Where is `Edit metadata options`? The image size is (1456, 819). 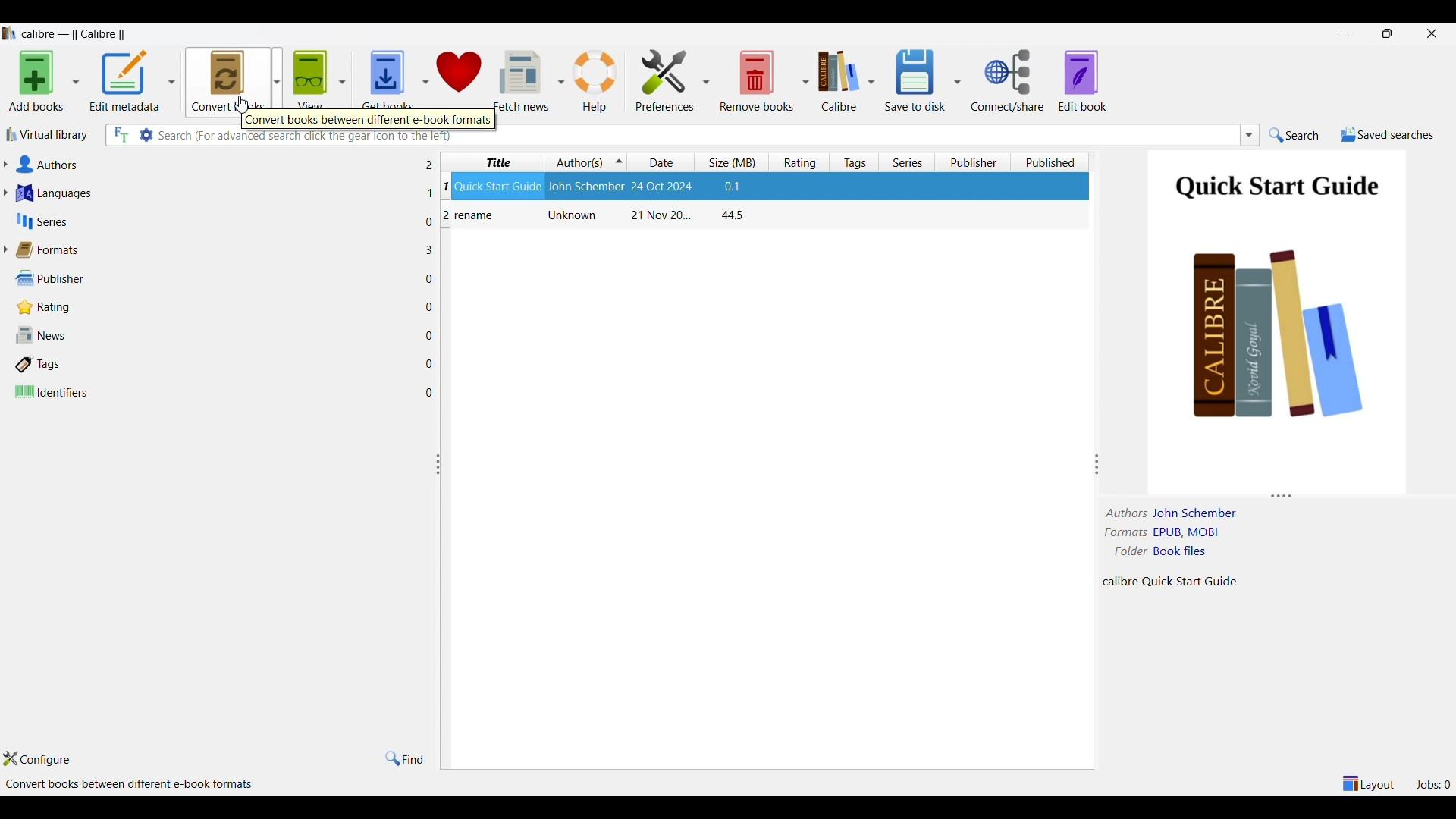 Edit metadata options is located at coordinates (171, 81).